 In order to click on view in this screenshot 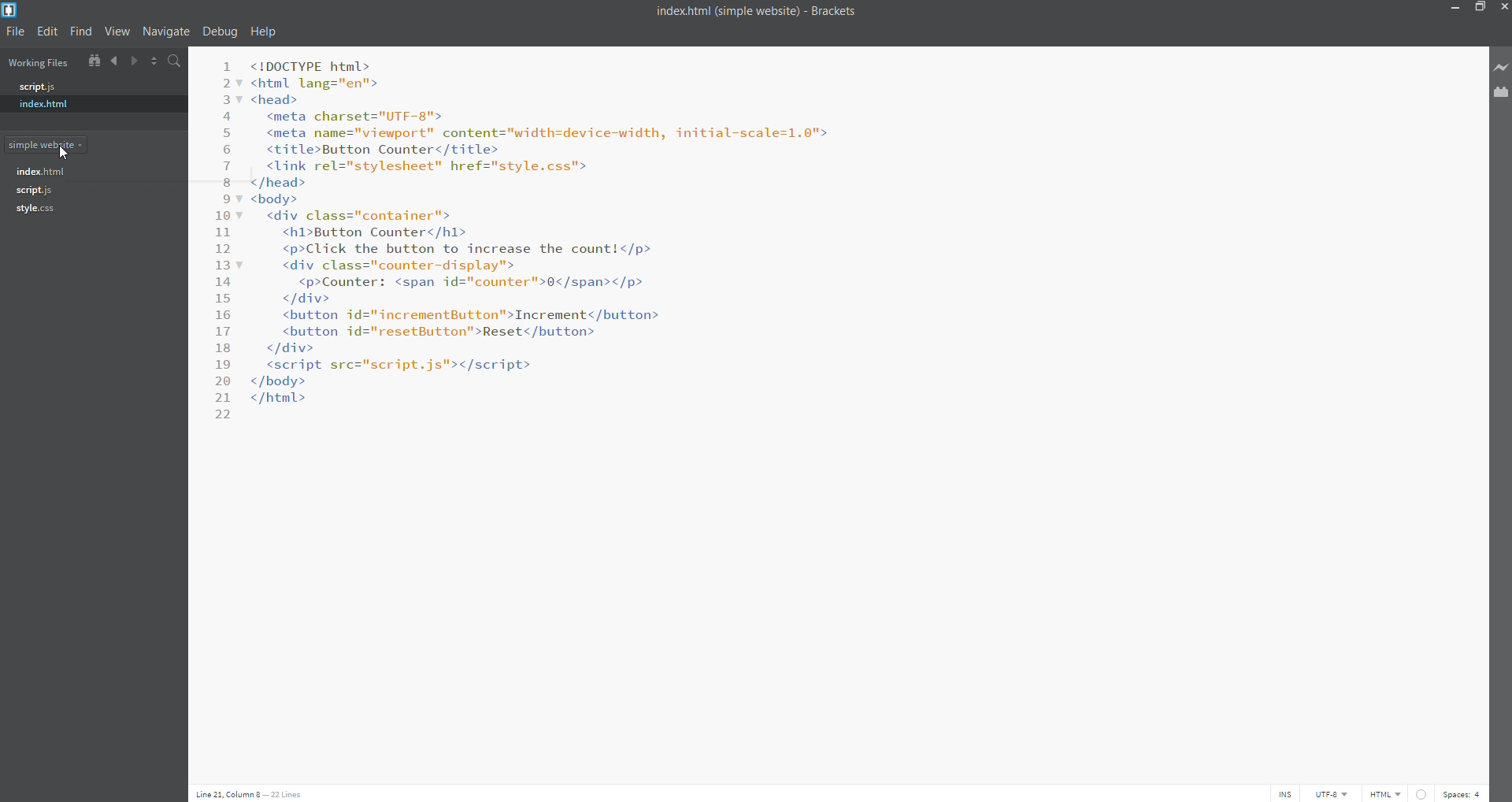, I will do `click(117, 32)`.